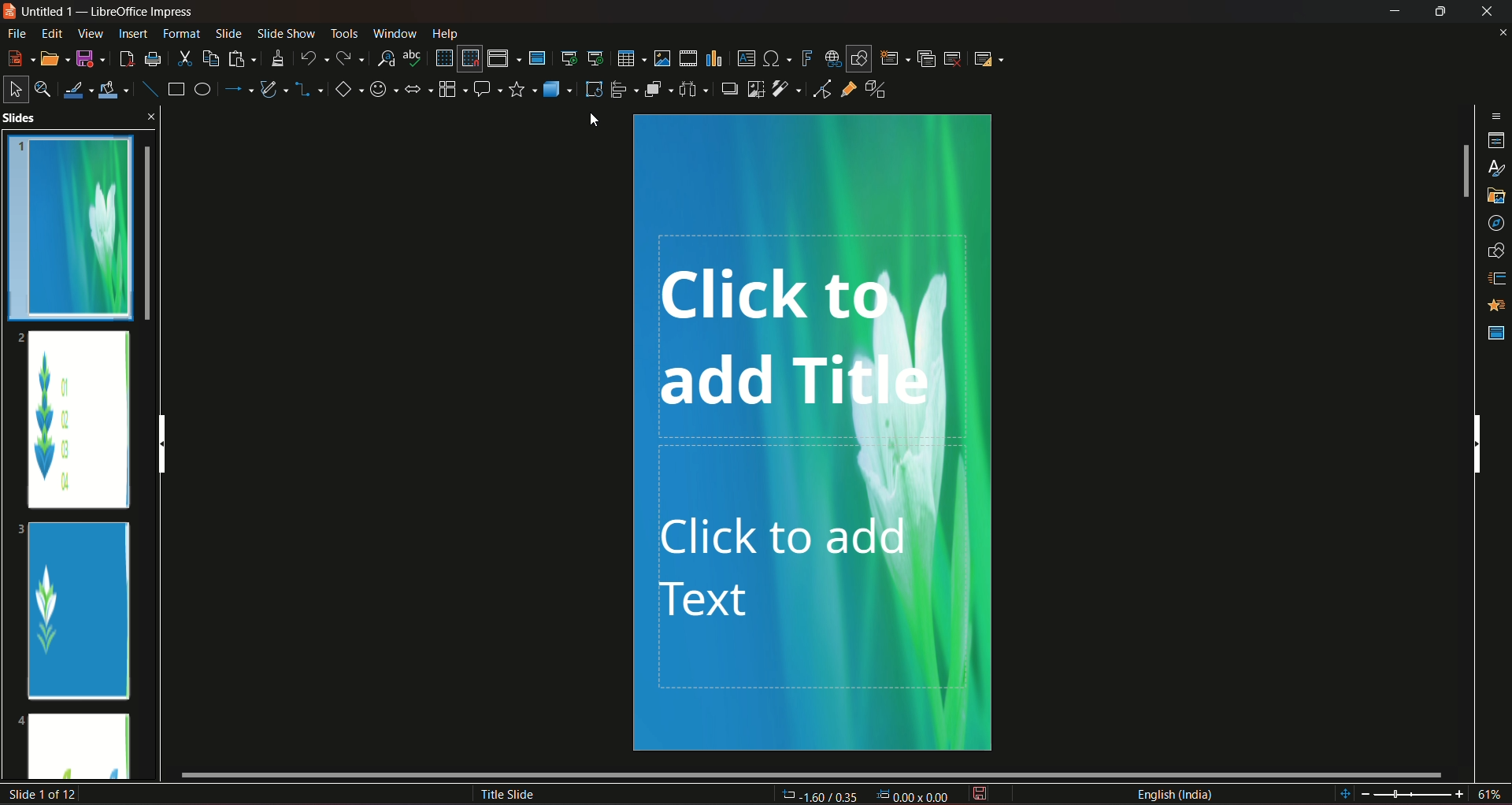 This screenshot has height=805, width=1512. I want to click on slides scroll bar, so click(154, 376).